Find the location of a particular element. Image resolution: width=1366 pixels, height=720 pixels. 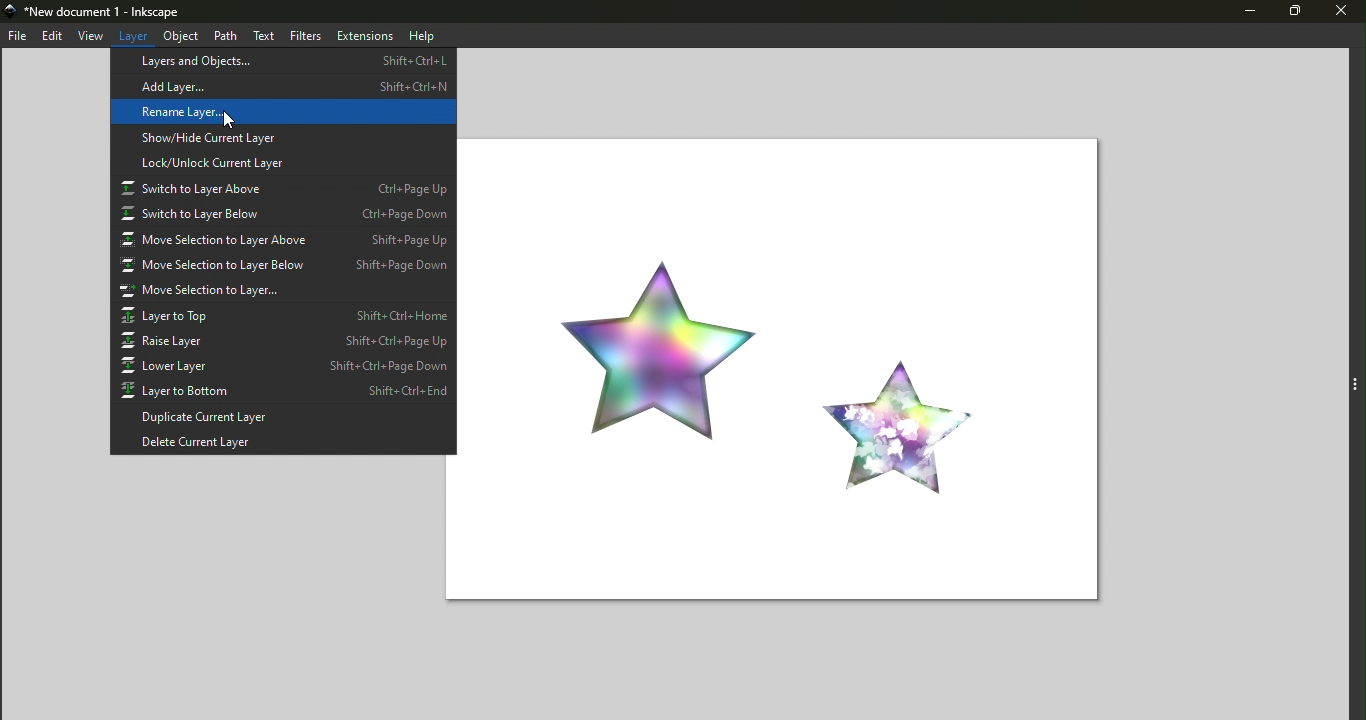

cursor is located at coordinates (230, 124).